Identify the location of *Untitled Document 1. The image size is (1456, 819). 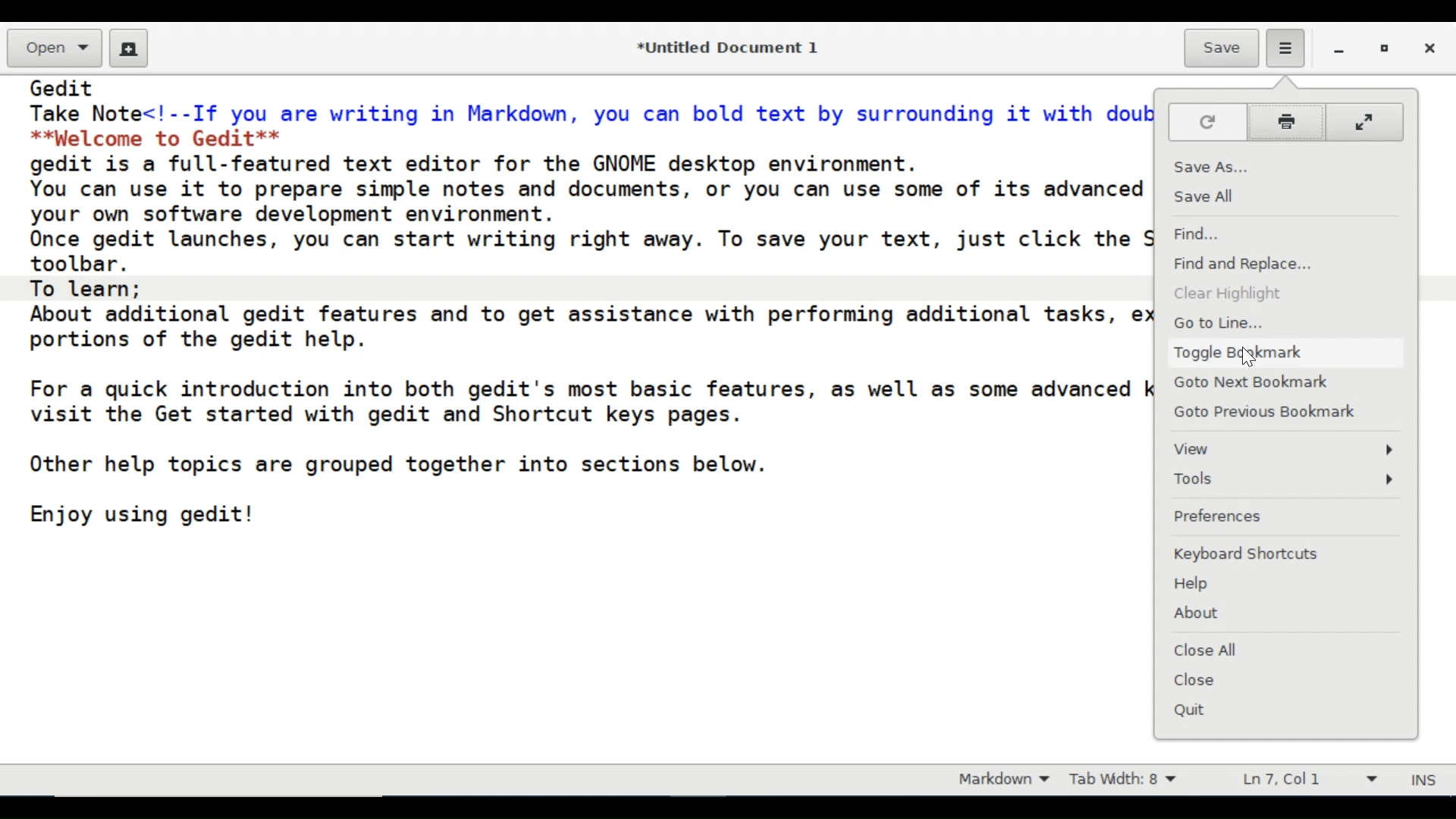
(730, 49).